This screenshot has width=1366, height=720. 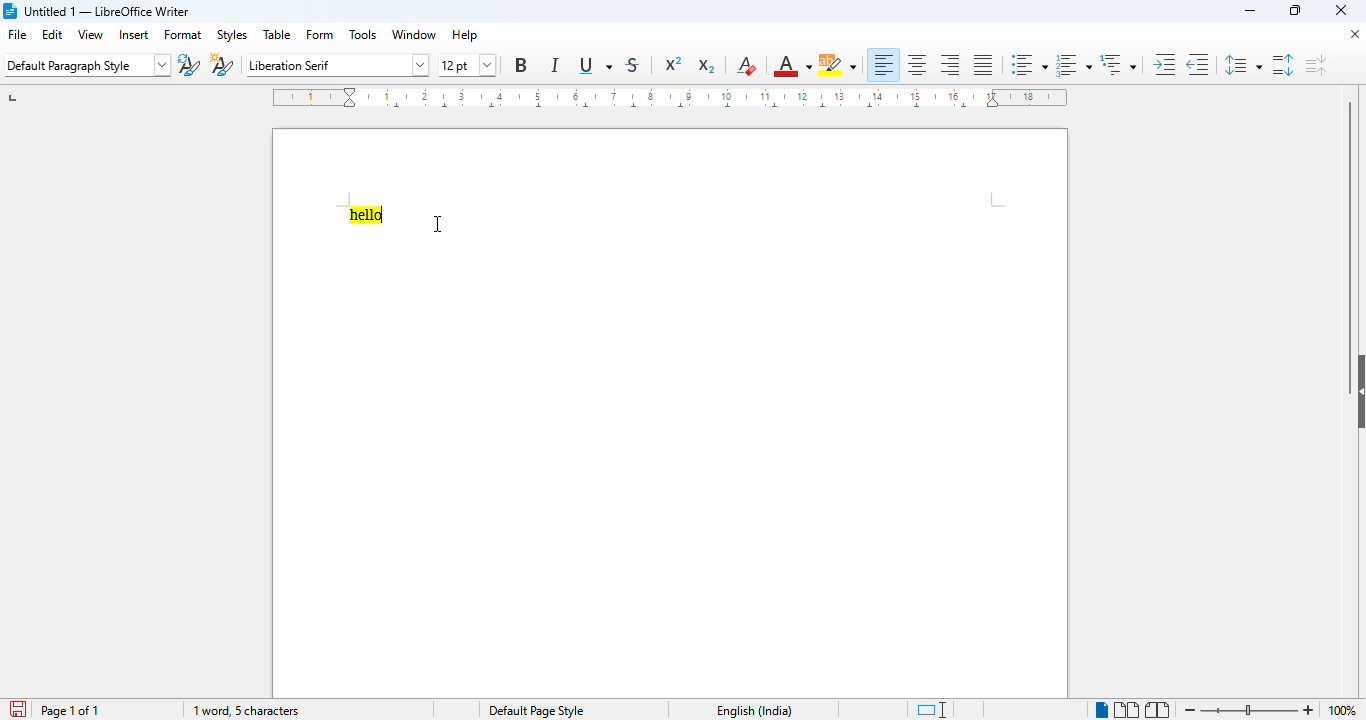 What do you see at coordinates (457, 66) in the screenshot?
I see `12 pt` at bounding box center [457, 66].